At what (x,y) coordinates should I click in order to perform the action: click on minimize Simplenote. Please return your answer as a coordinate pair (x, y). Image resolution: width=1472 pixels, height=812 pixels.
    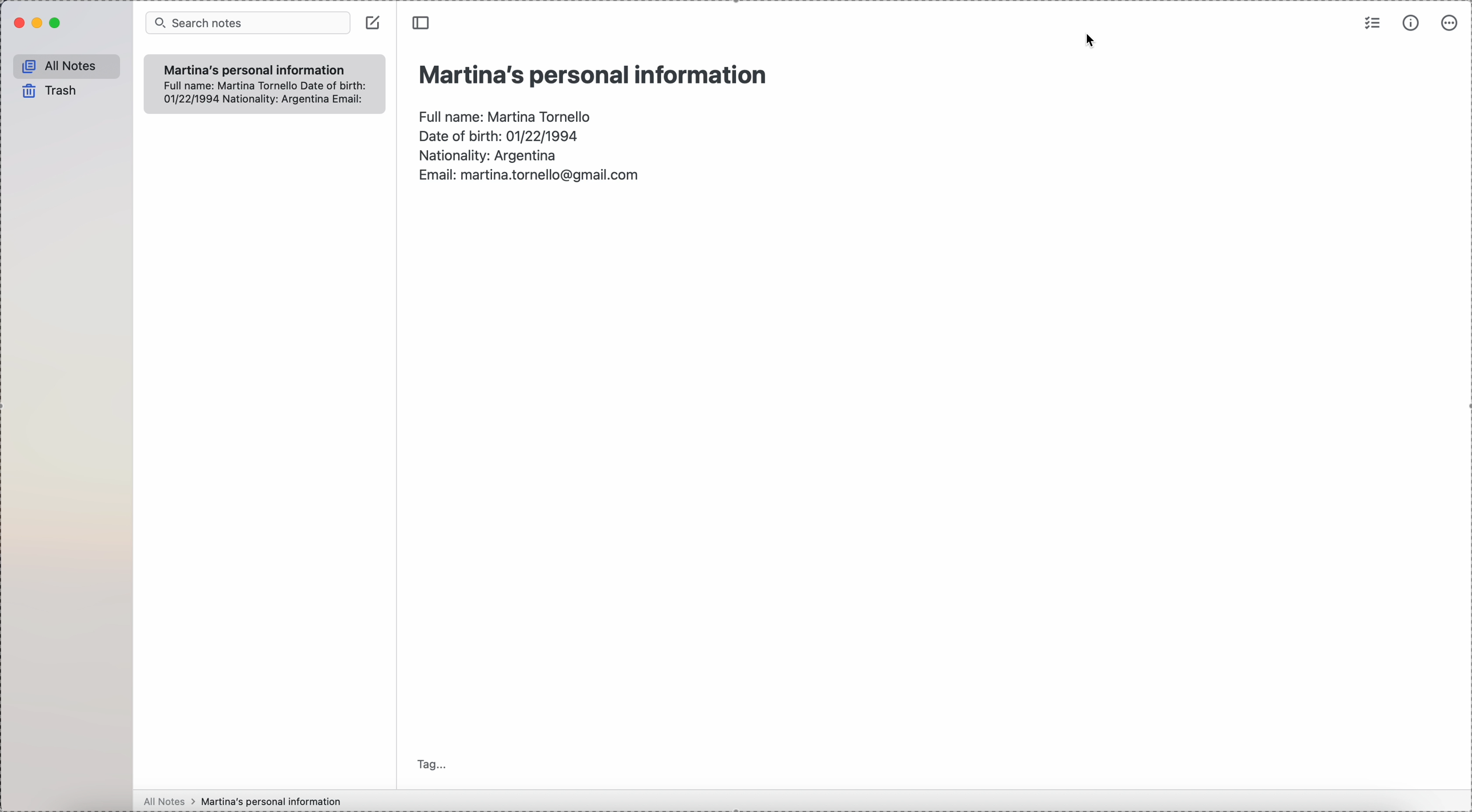
    Looking at the image, I should click on (39, 23).